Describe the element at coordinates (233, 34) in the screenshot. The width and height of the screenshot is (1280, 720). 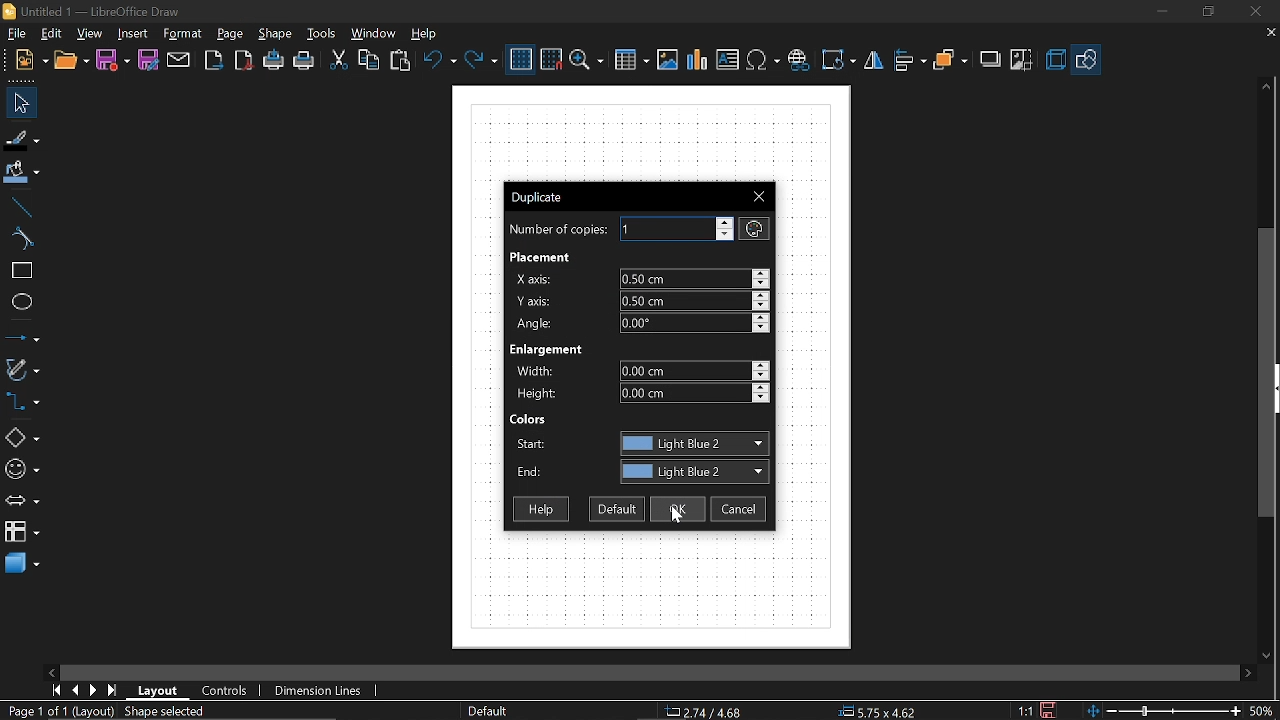
I see `Page` at that location.